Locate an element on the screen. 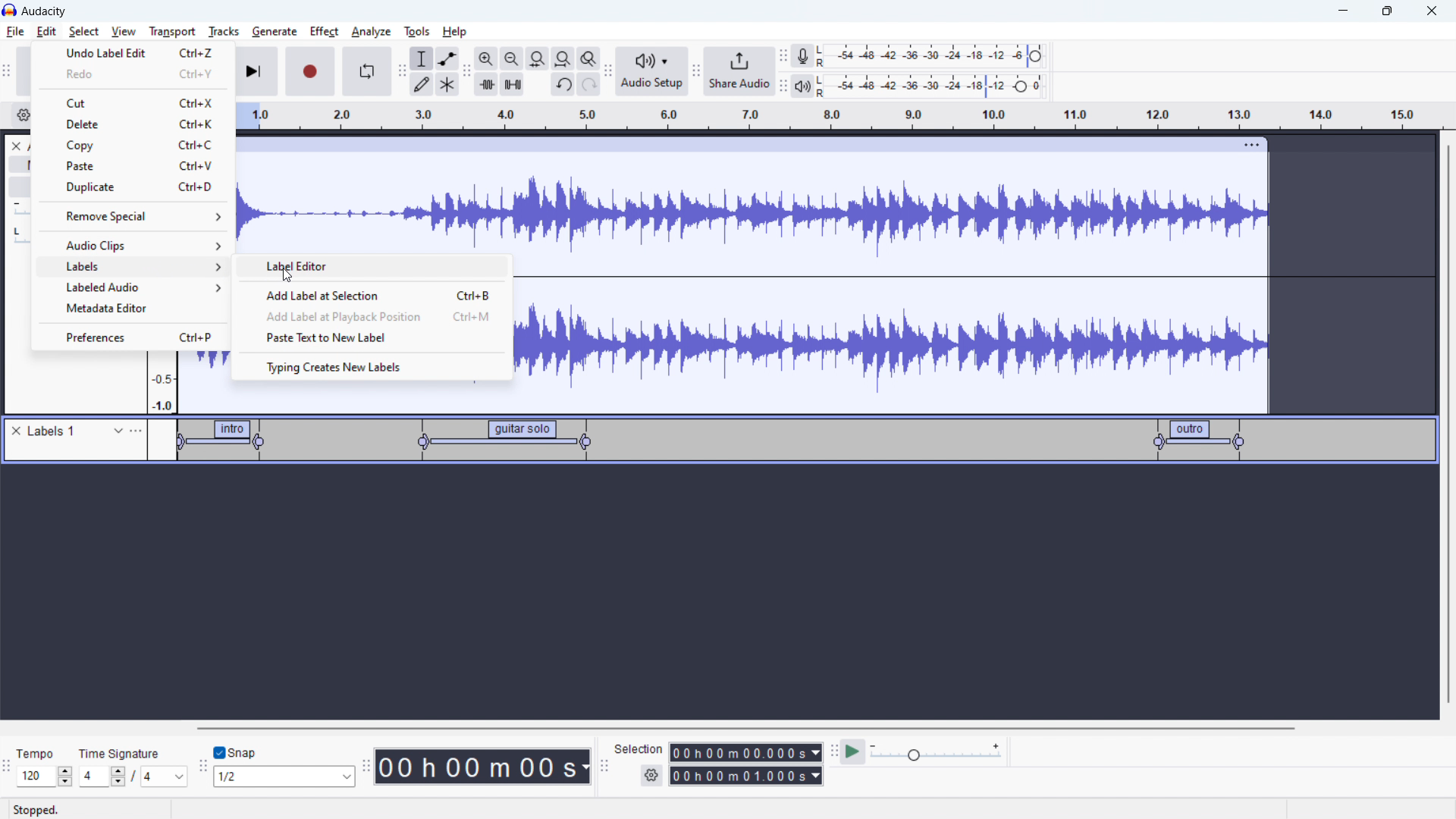  audio setup toolbar is located at coordinates (607, 71).